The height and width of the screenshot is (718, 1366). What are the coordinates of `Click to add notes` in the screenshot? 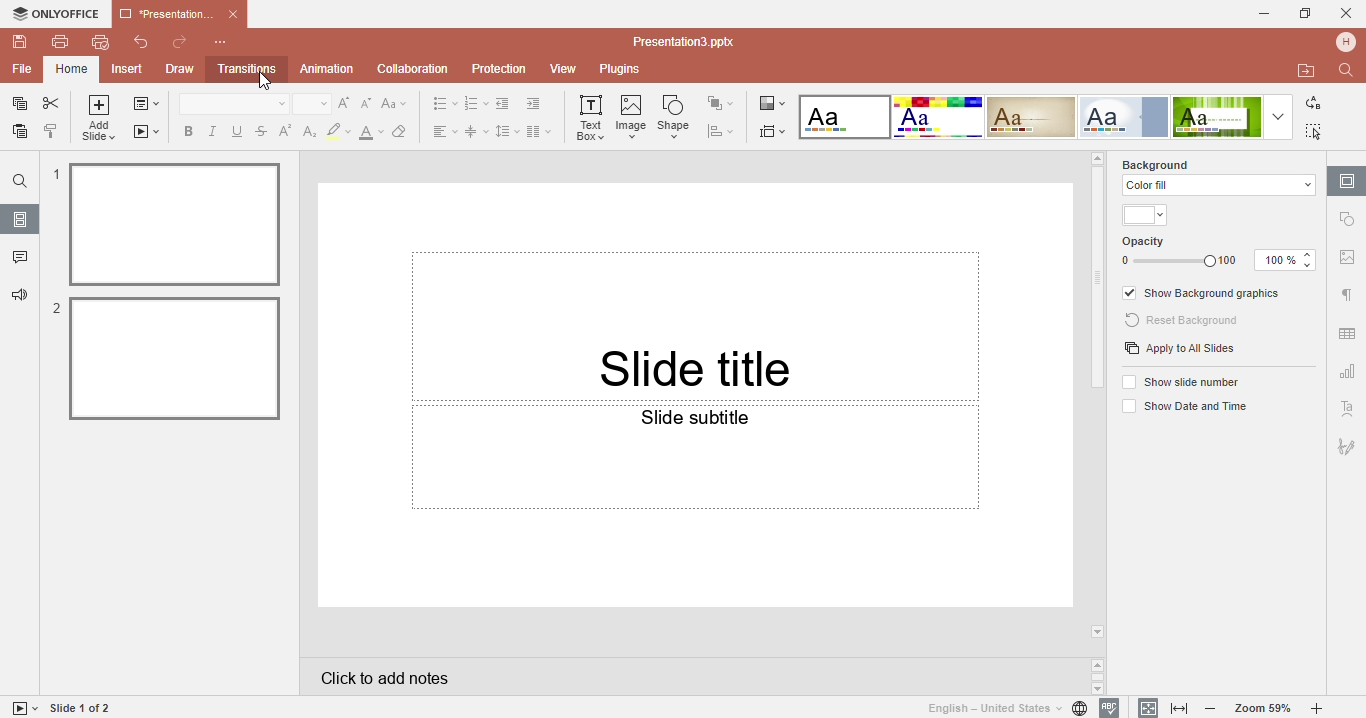 It's located at (692, 676).